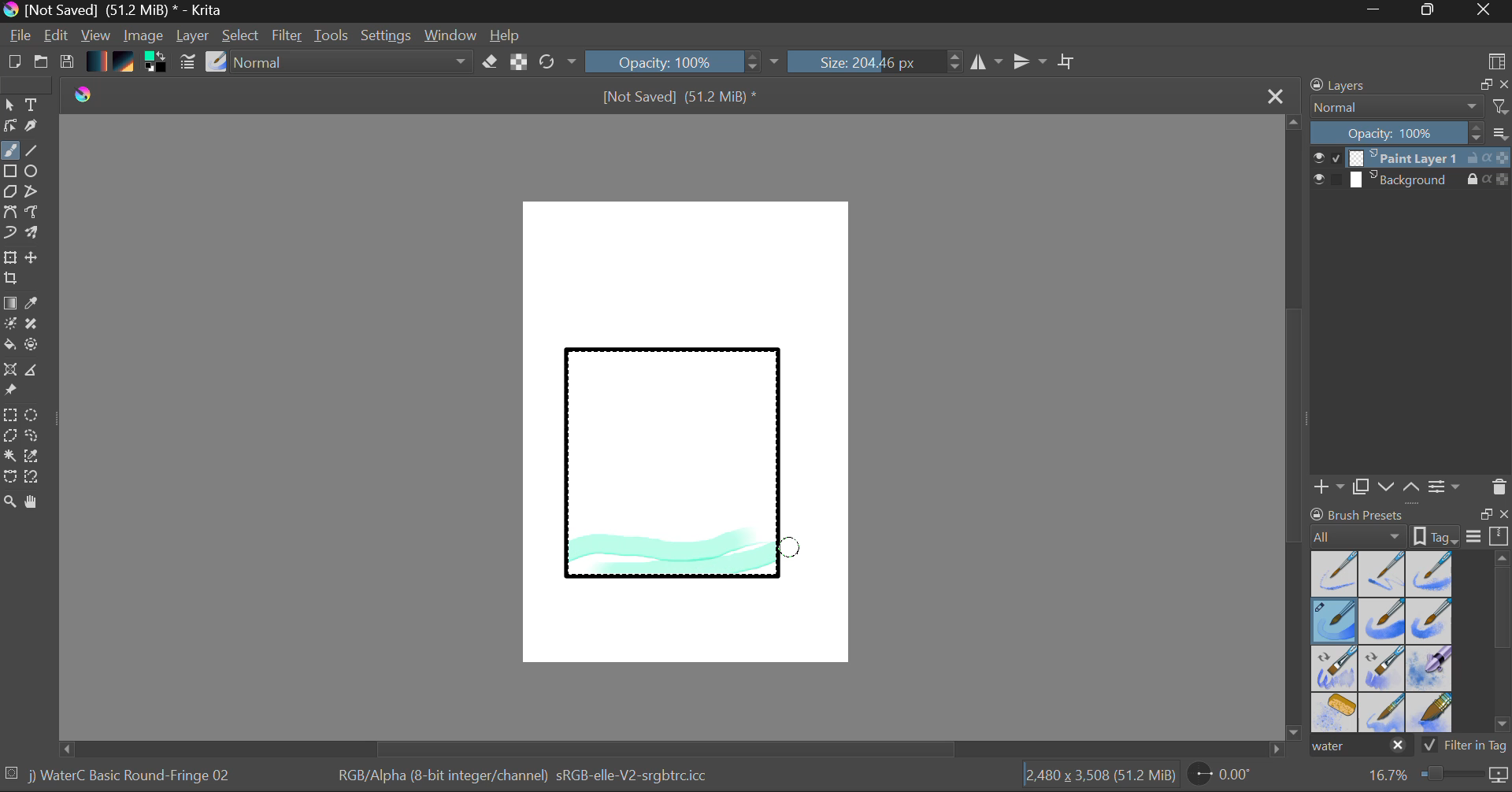 This screenshot has width=1512, height=792. What do you see at coordinates (9, 105) in the screenshot?
I see `Select` at bounding box center [9, 105].